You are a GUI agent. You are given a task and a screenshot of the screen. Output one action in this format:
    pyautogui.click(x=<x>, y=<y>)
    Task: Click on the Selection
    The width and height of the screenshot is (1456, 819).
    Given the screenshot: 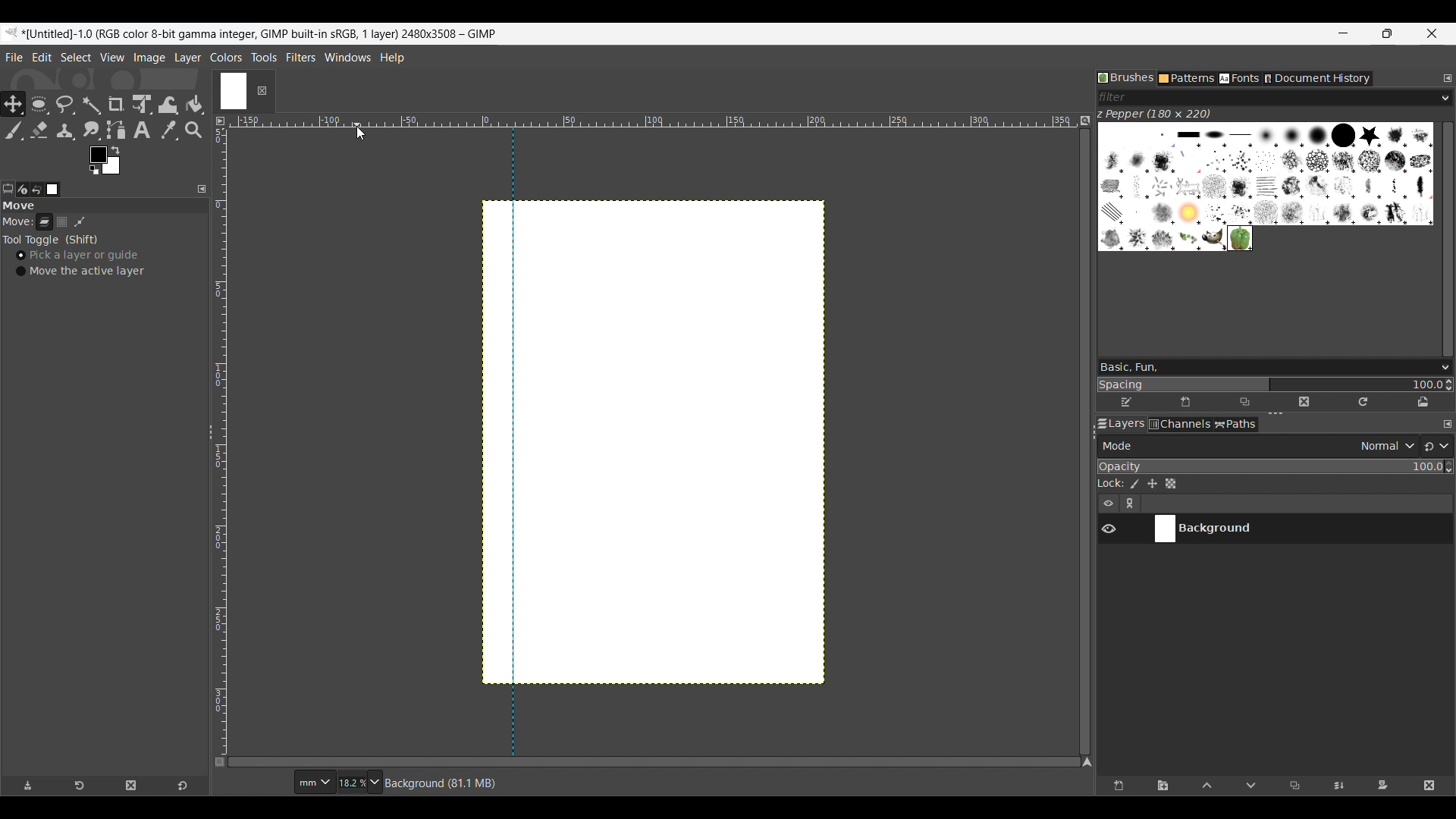 What is the action you would take?
    pyautogui.click(x=65, y=224)
    